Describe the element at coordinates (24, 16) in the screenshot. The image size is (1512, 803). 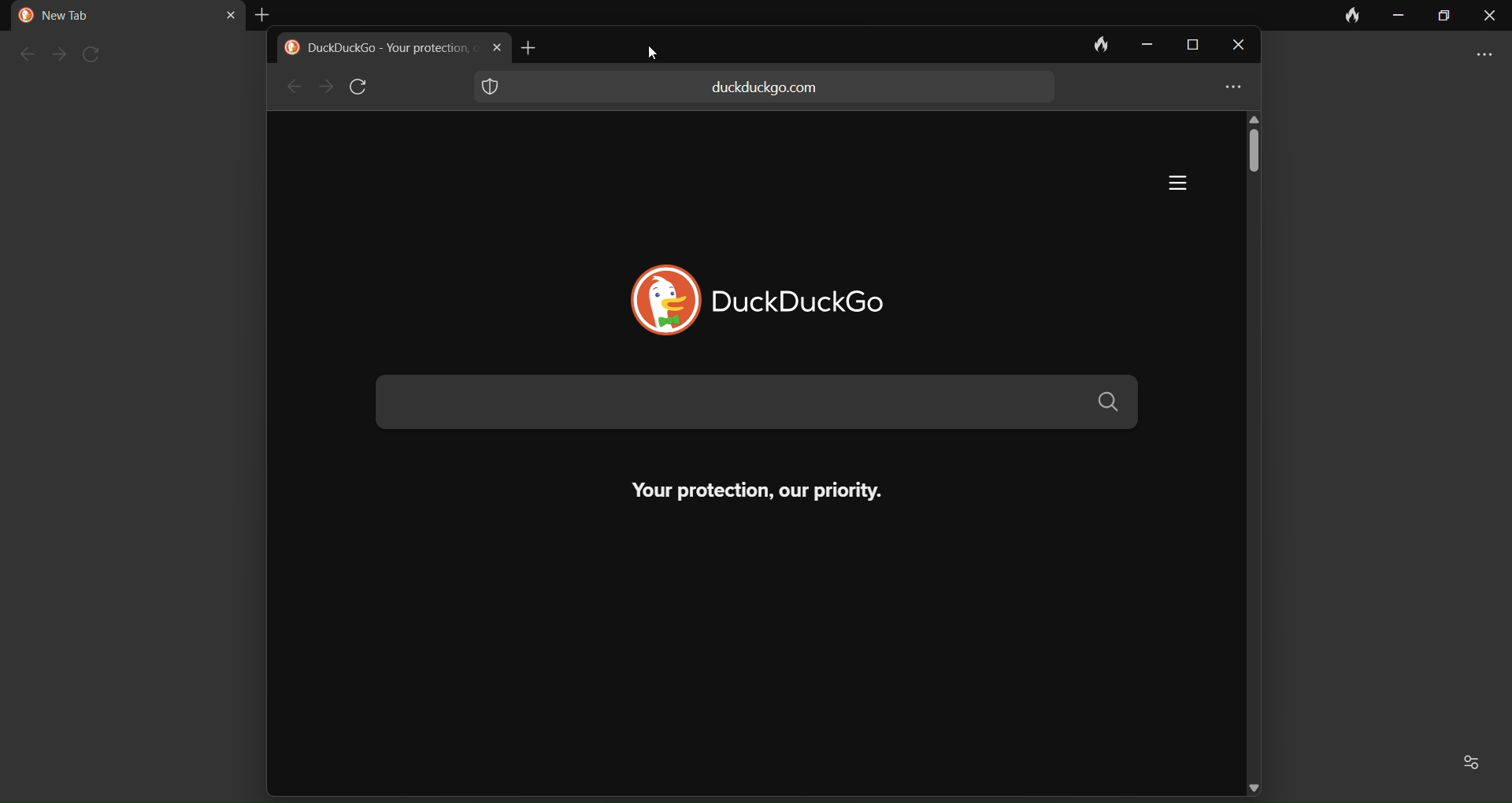
I see `Logo` at that location.